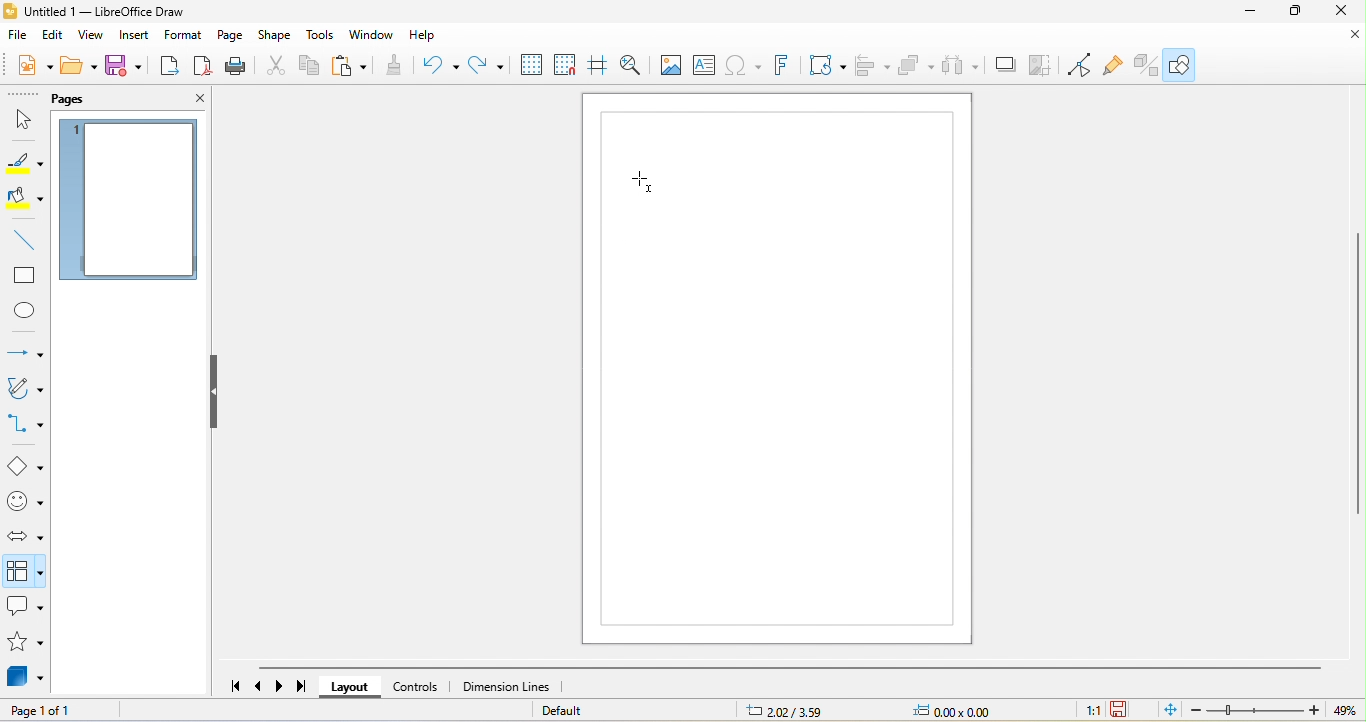 The image size is (1366, 722). Describe the element at coordinates (136, 38) in the screenshot. I see `insert` at that location.